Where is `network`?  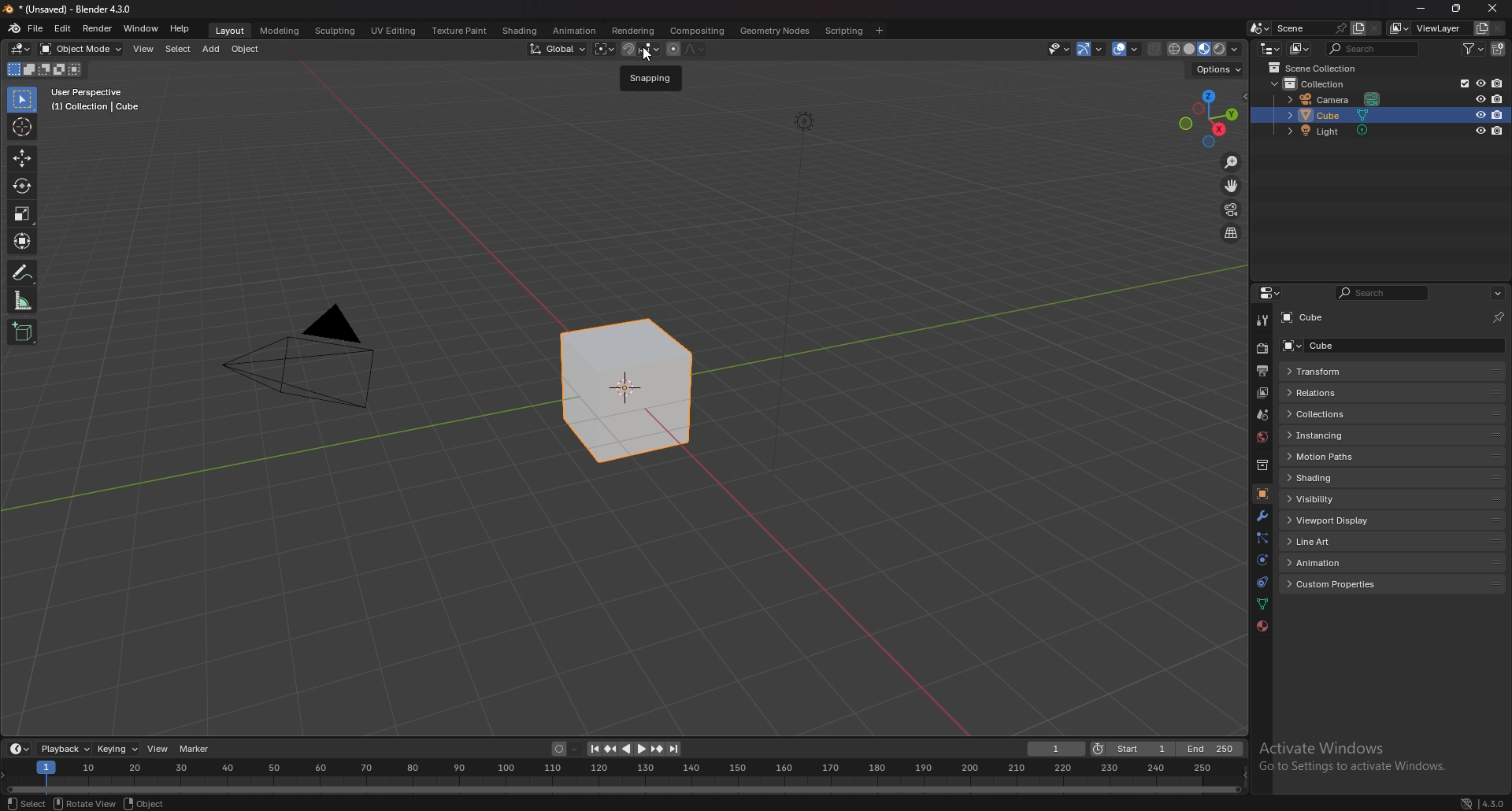 network is located at coordinates (1466, 802).